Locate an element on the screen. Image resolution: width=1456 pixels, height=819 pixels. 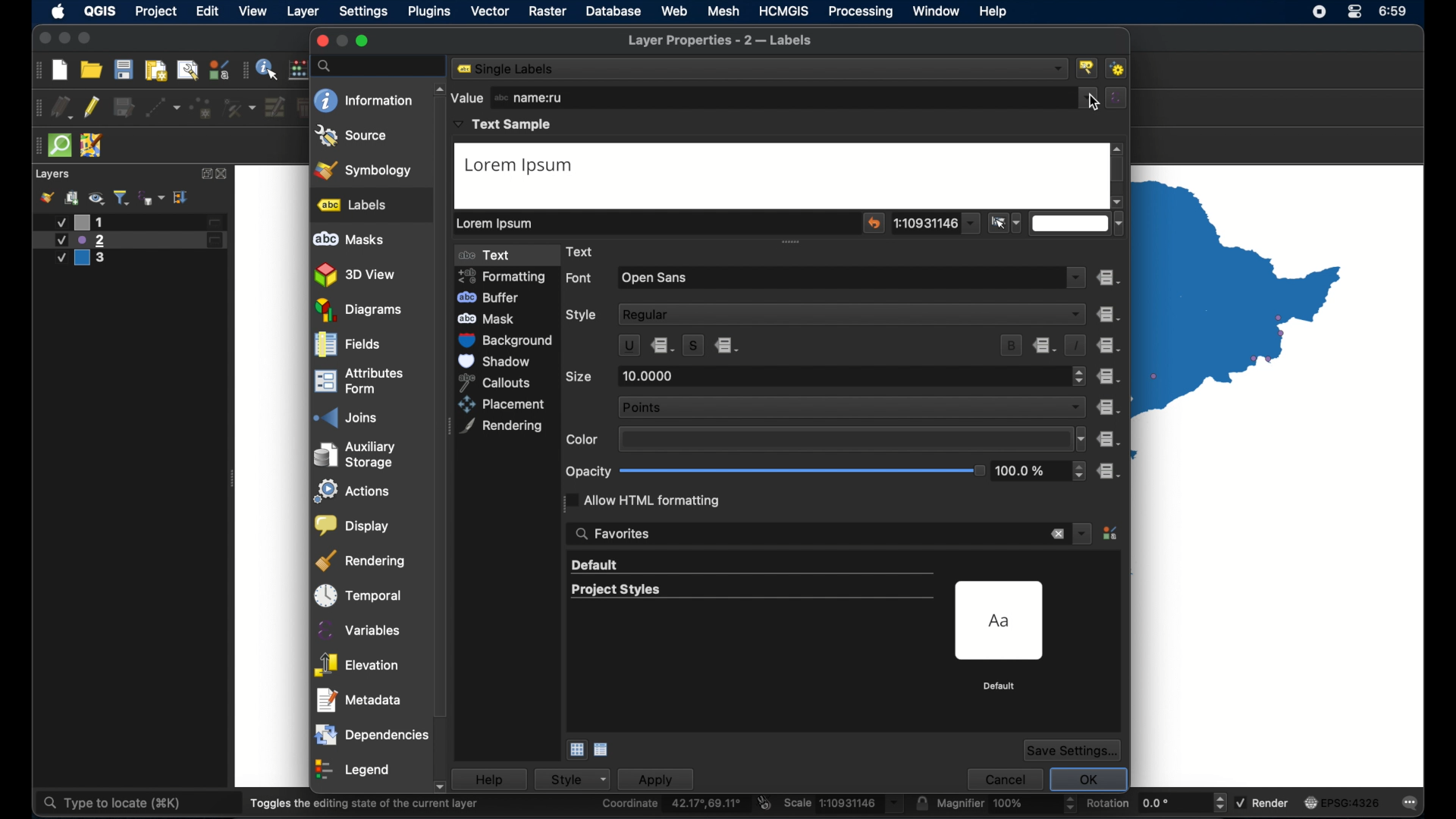
QGIS is located at coordinates (102, 11).